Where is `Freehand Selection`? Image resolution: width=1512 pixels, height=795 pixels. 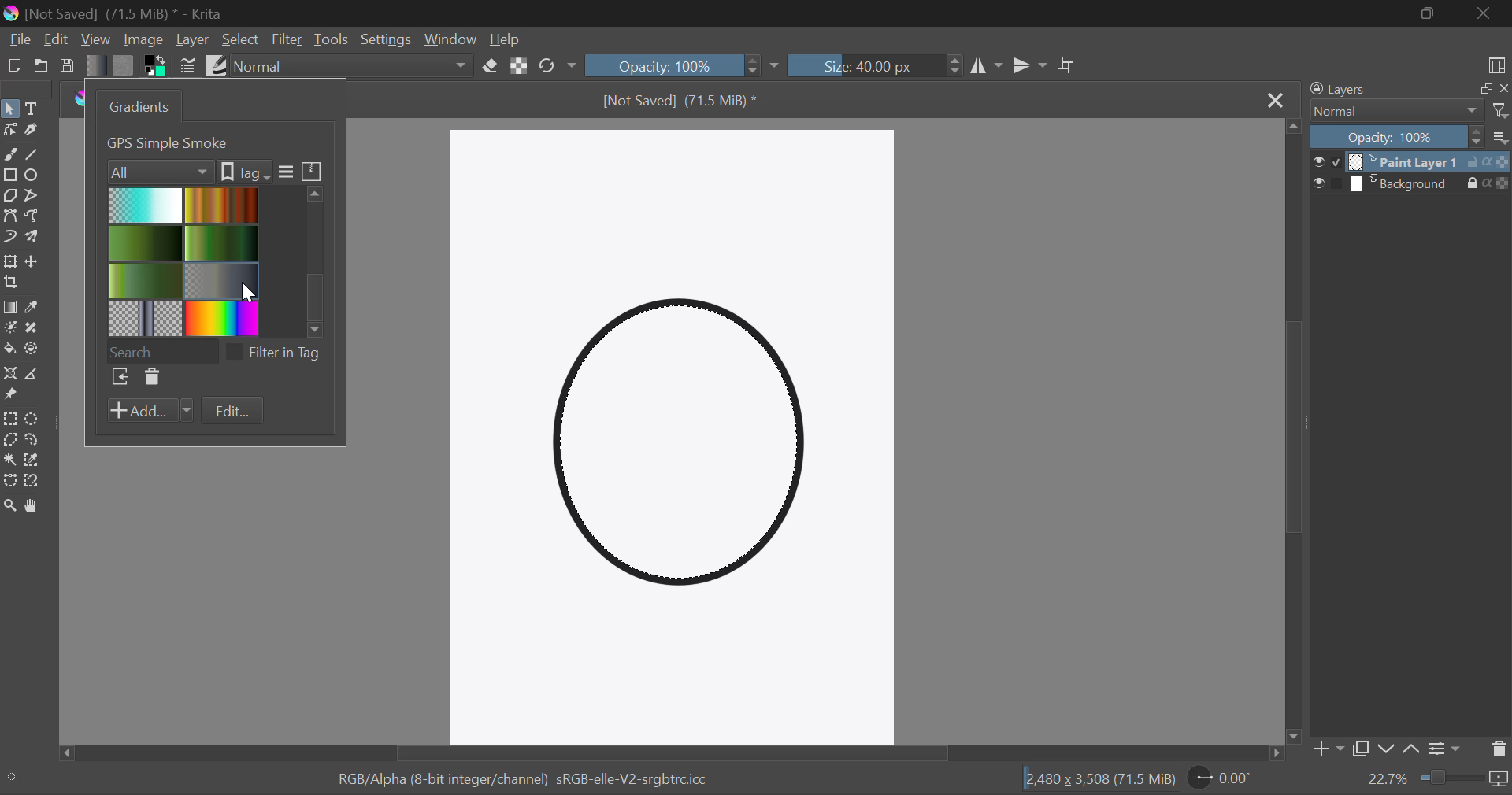 Freehand Selection is located at coordinates (36, 438).